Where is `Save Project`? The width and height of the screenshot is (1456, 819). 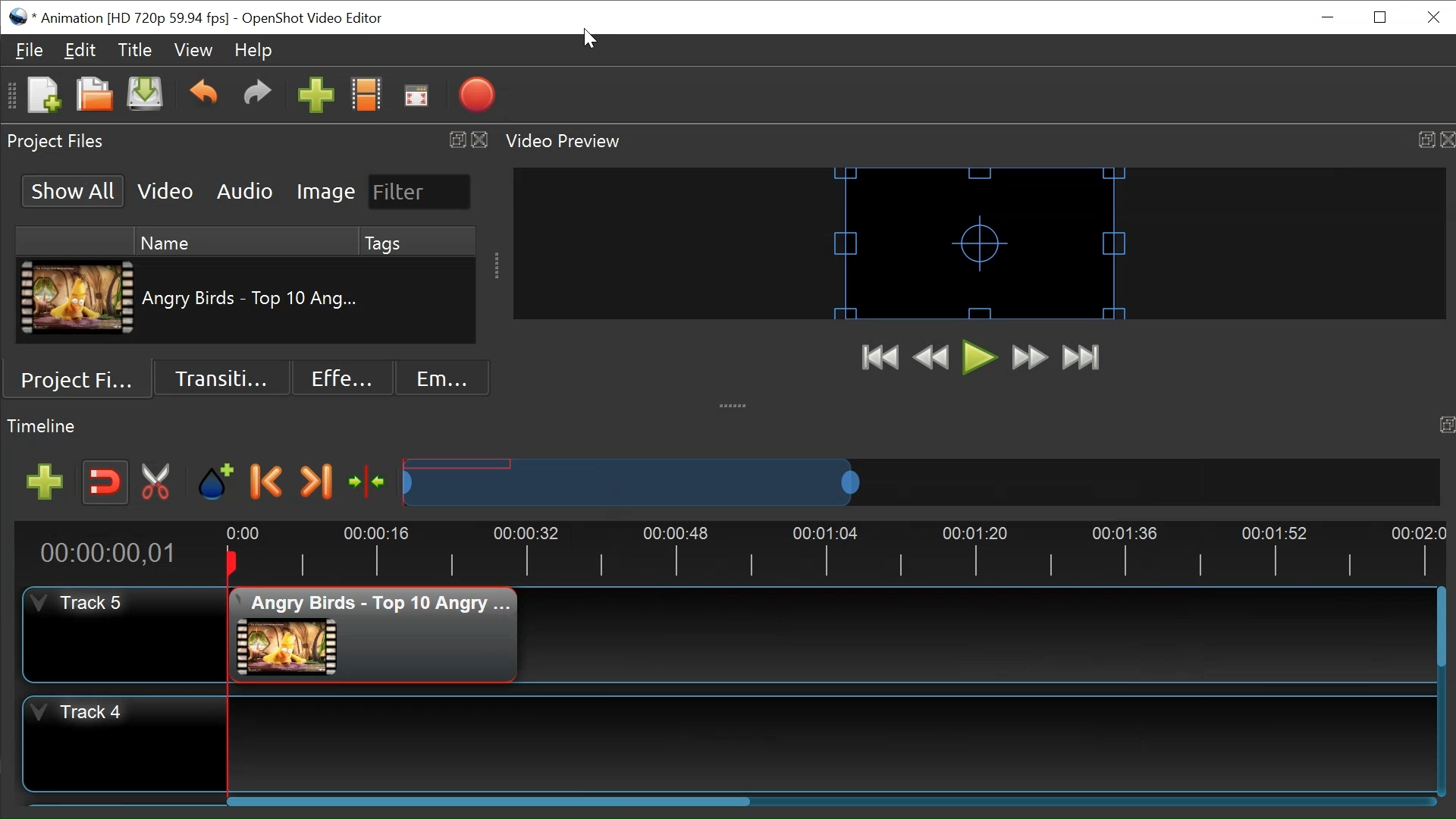
Save Project is located at coordinates (145, 96).